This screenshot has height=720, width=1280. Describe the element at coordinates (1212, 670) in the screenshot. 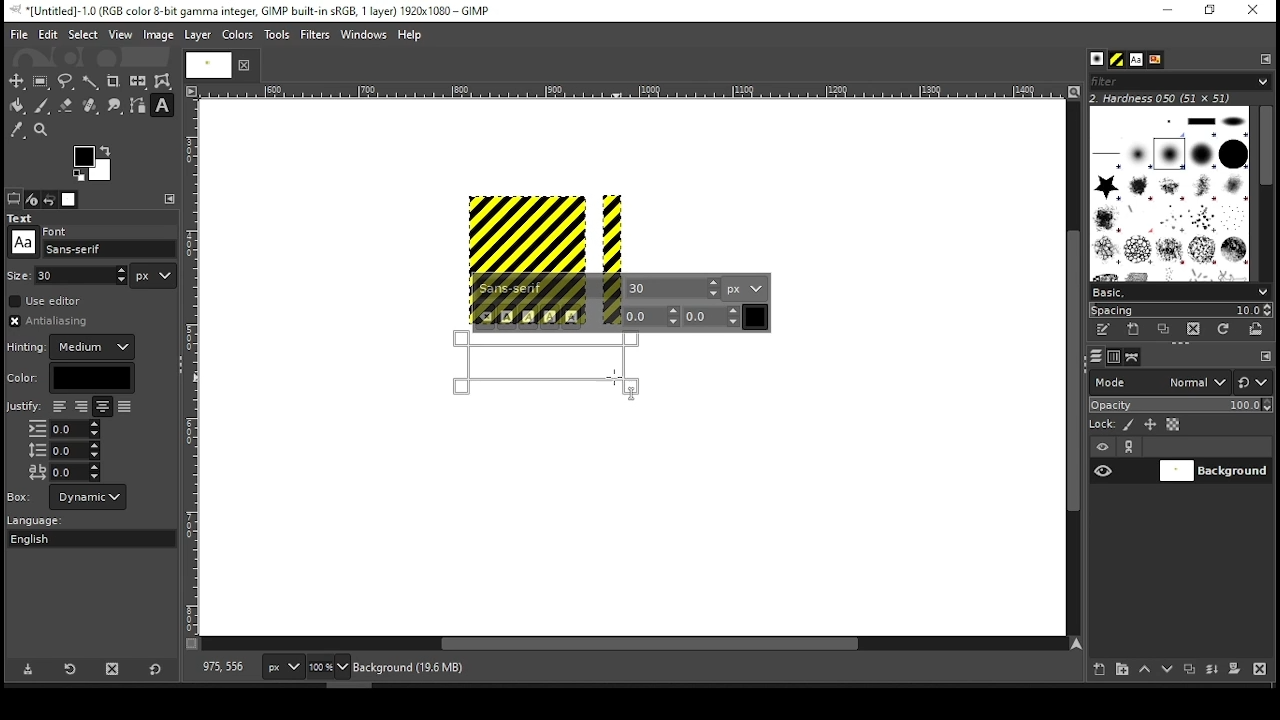

I see `merge layer` at that location.